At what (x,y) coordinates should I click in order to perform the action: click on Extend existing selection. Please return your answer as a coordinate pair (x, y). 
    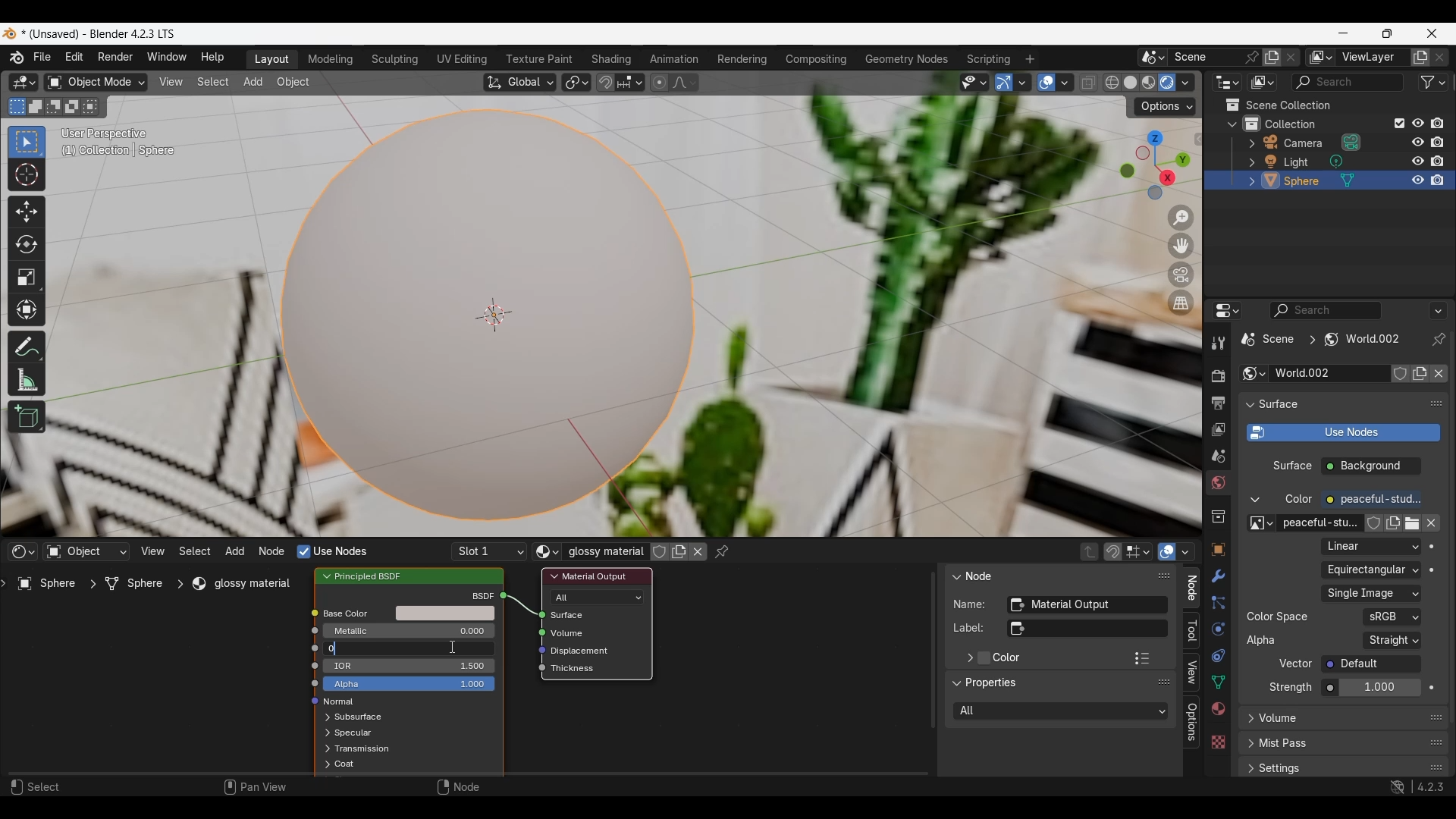
    Looking at the image, I should click on (35, 107).